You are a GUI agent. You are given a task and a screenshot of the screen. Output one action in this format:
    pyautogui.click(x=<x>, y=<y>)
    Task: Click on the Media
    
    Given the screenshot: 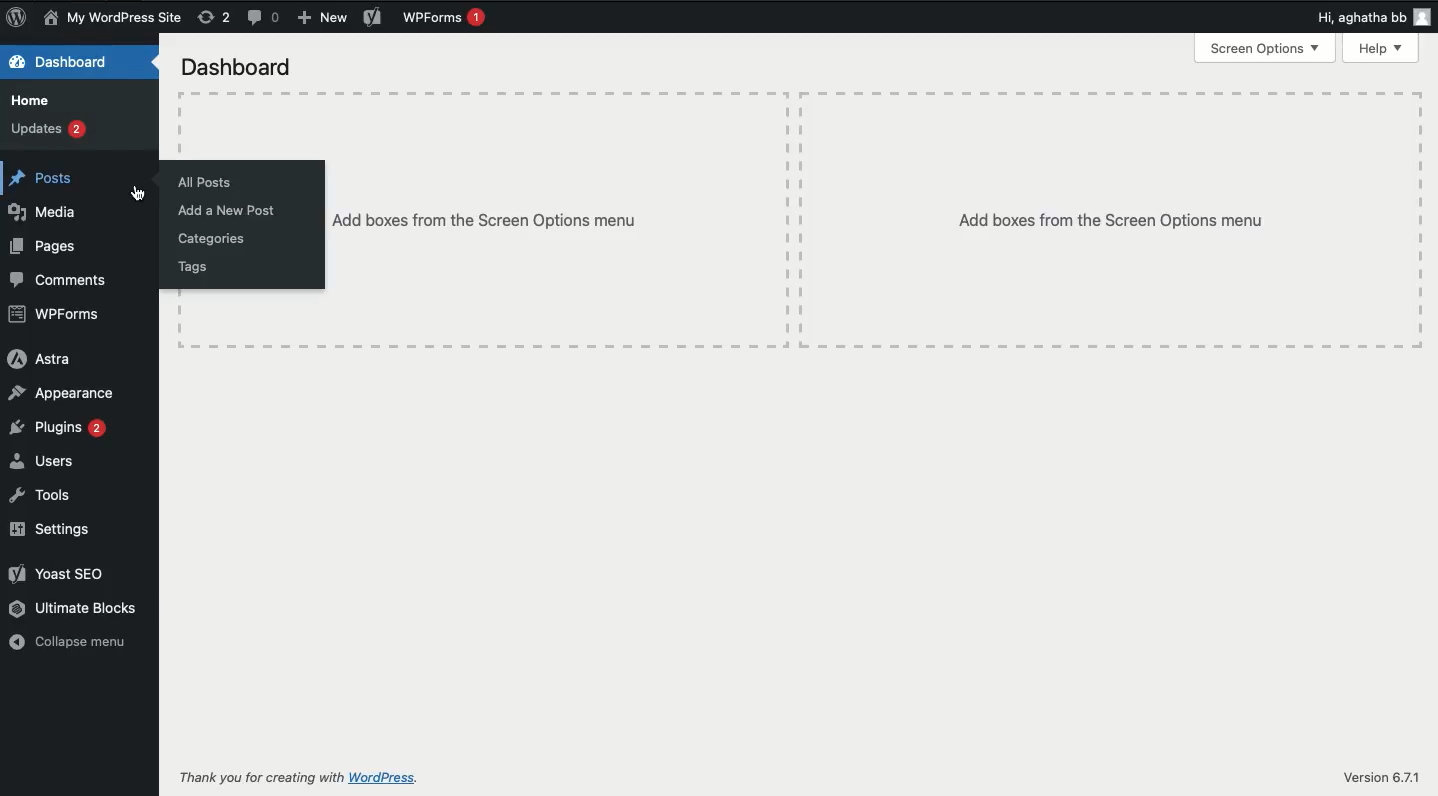 What is the action you would take?
    pyautogui.click(x=41, y=212)
    